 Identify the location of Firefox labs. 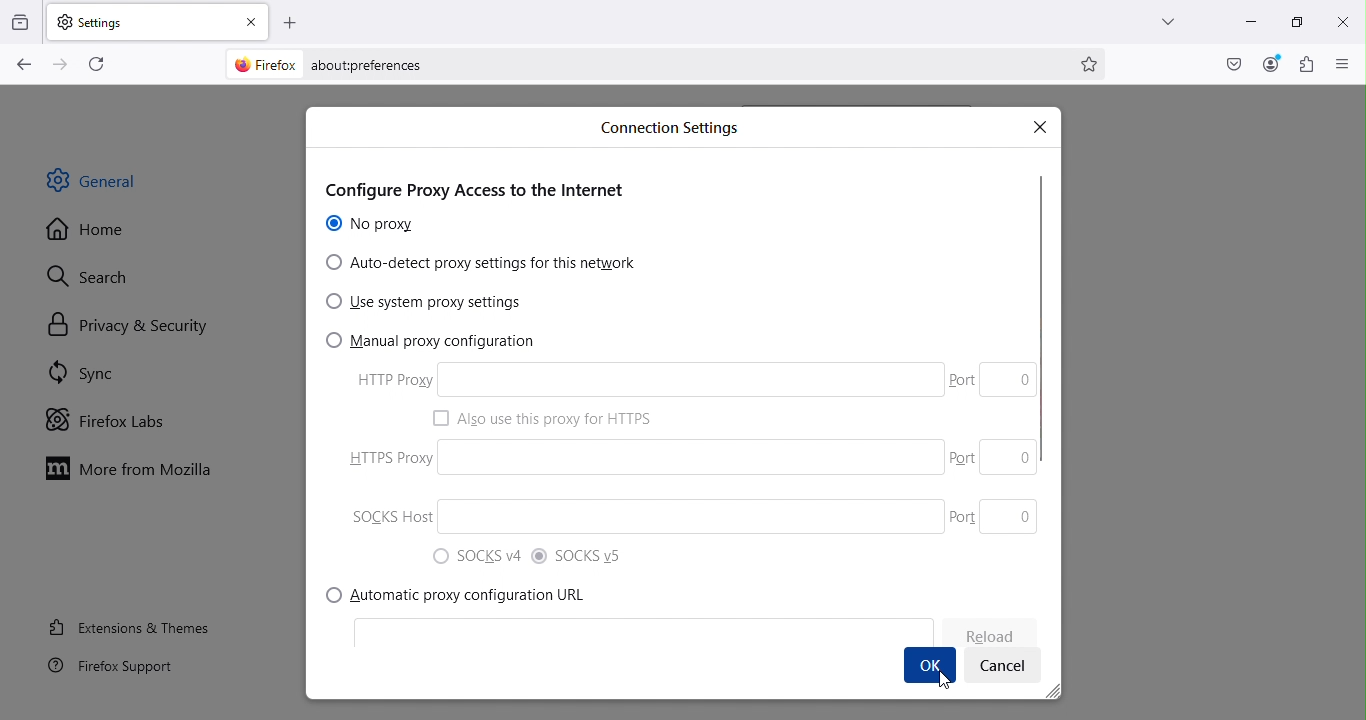
(116, 417).